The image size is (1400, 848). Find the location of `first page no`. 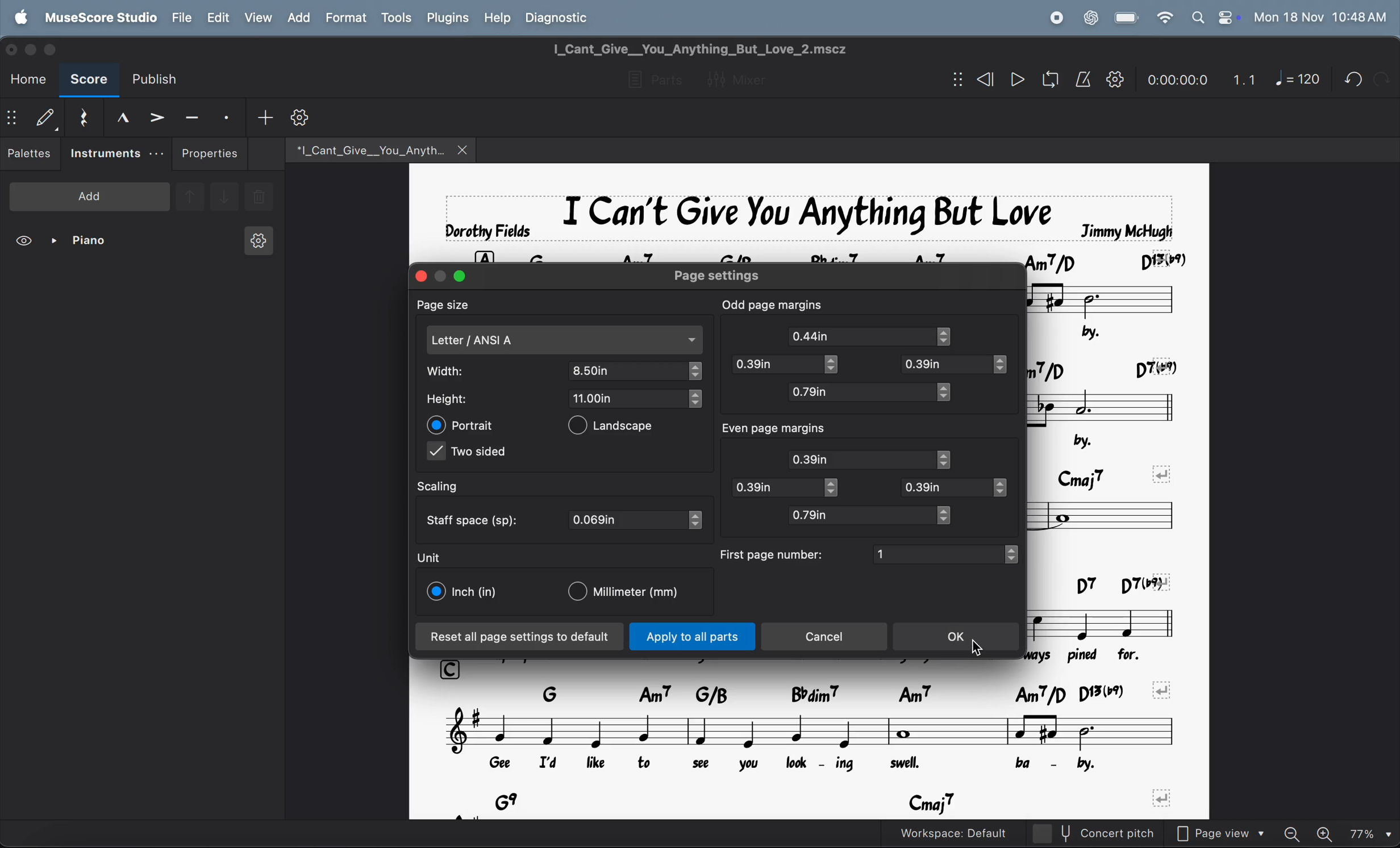

first page no is located at coordinates (773, 554).